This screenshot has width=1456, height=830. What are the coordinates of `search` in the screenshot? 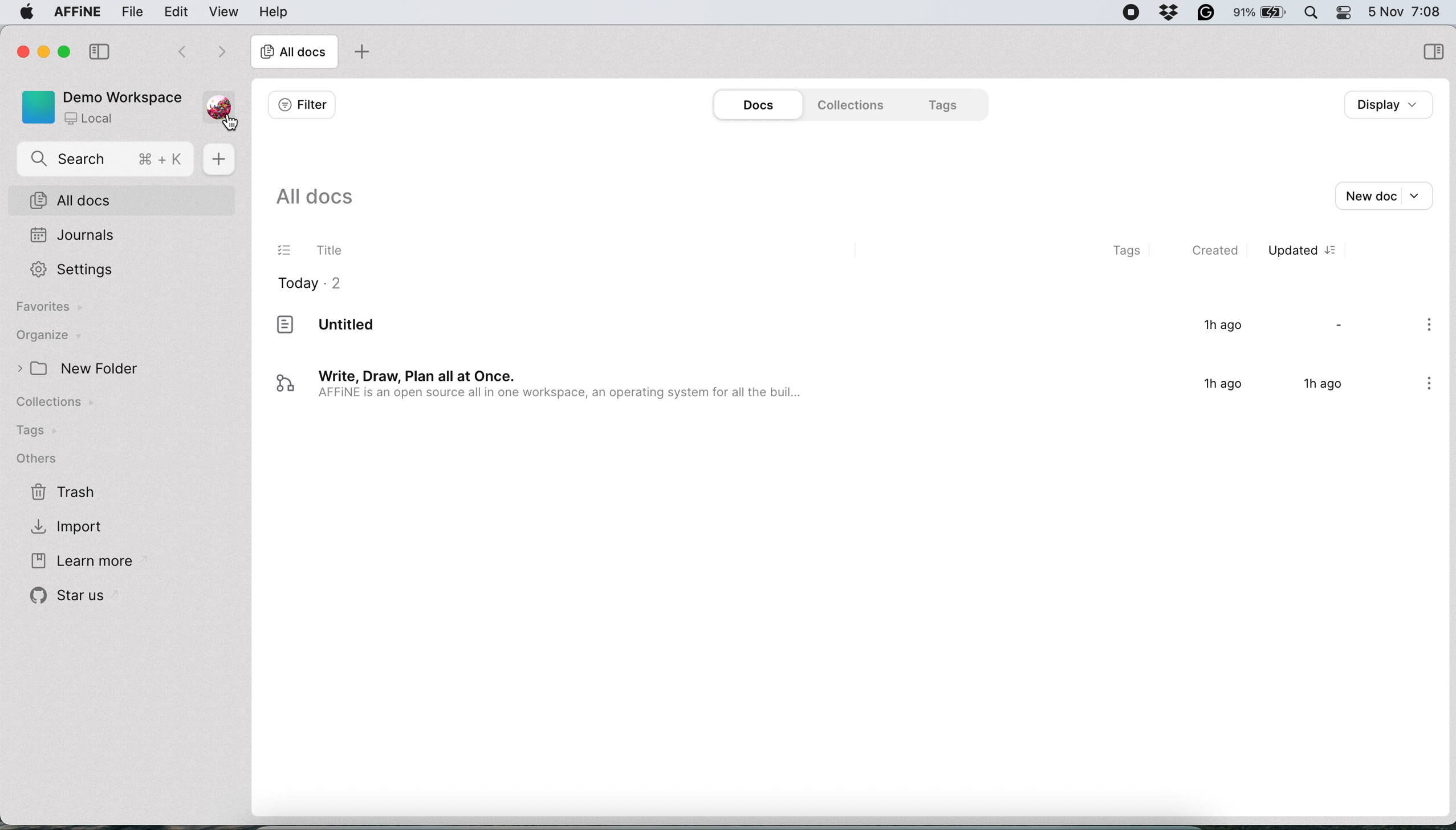 It's located at (107, 160).